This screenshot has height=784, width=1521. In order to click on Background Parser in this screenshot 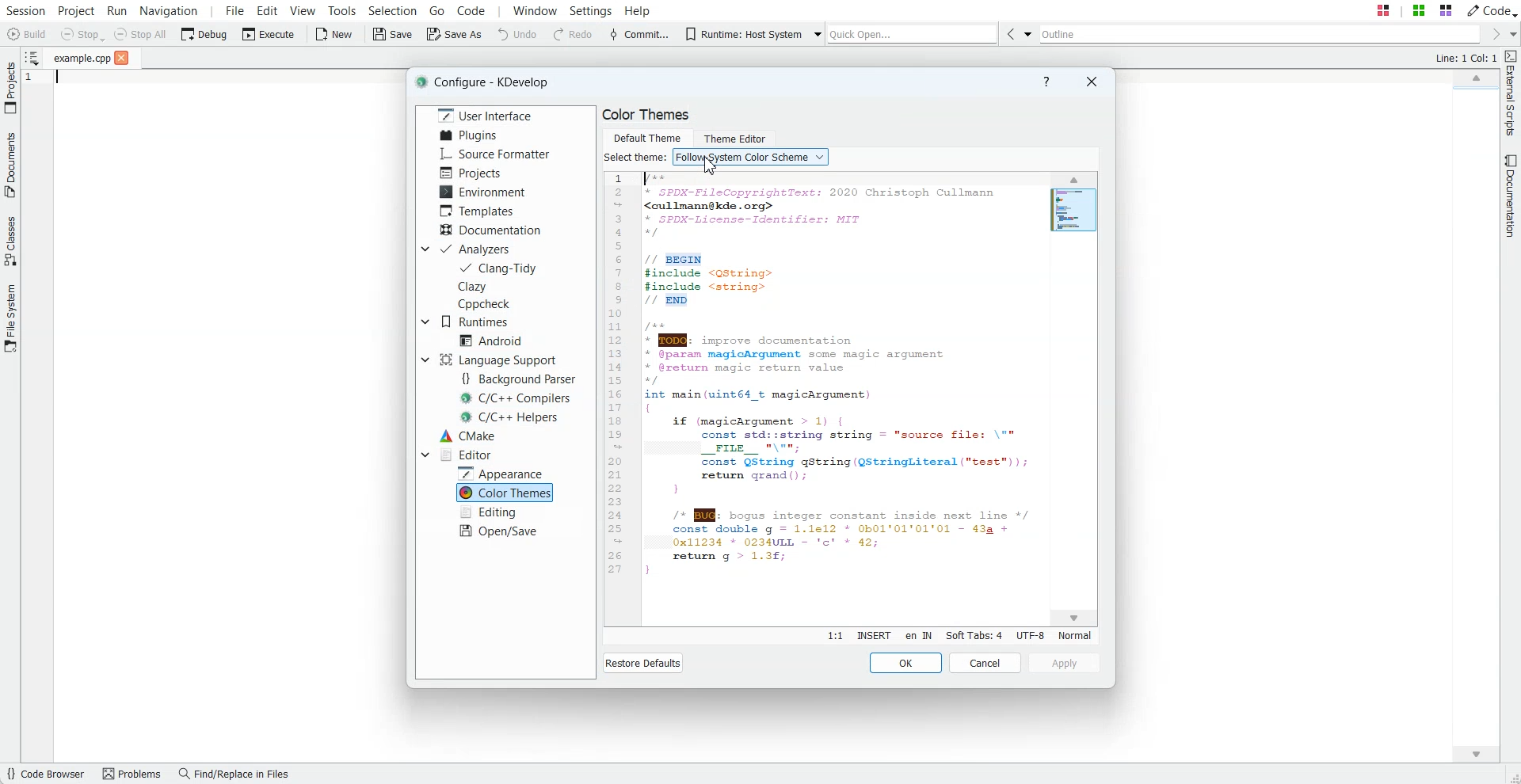, I will do `click(522, 379)`.